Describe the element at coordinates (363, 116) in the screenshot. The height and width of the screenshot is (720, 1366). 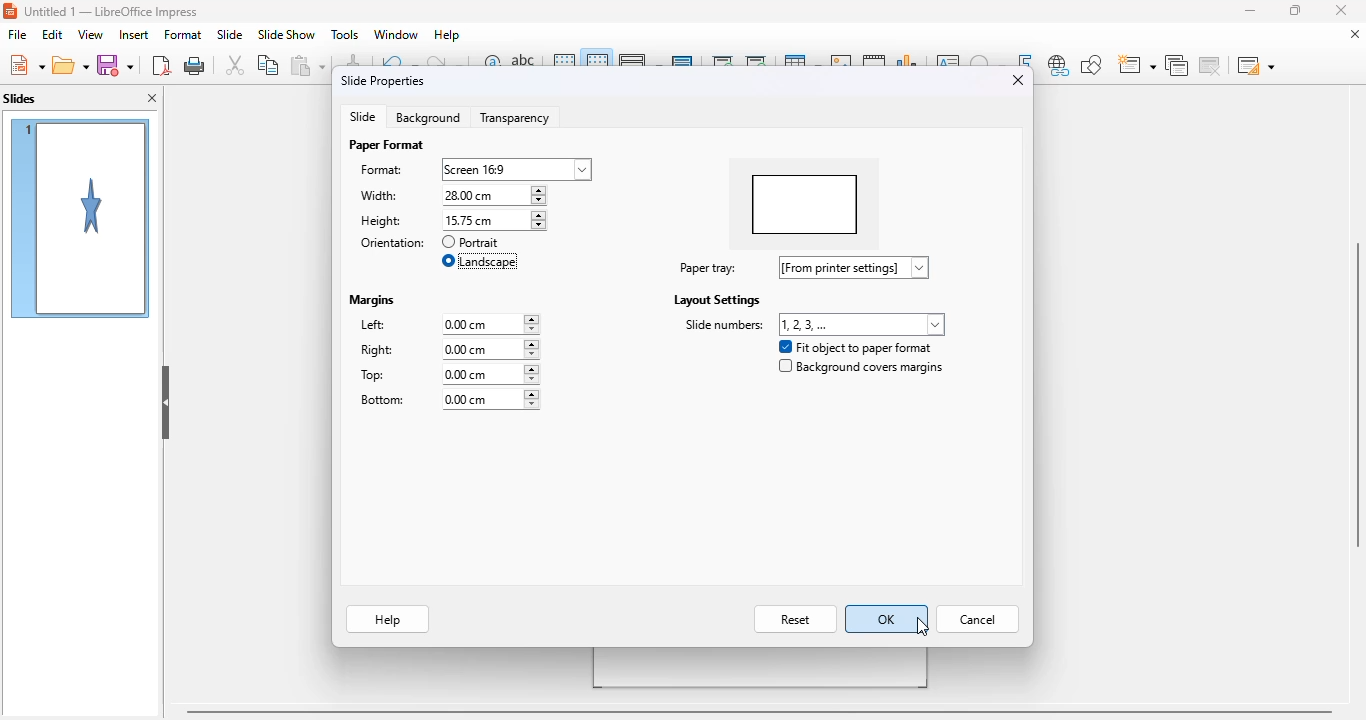
I see `slide` at that location.